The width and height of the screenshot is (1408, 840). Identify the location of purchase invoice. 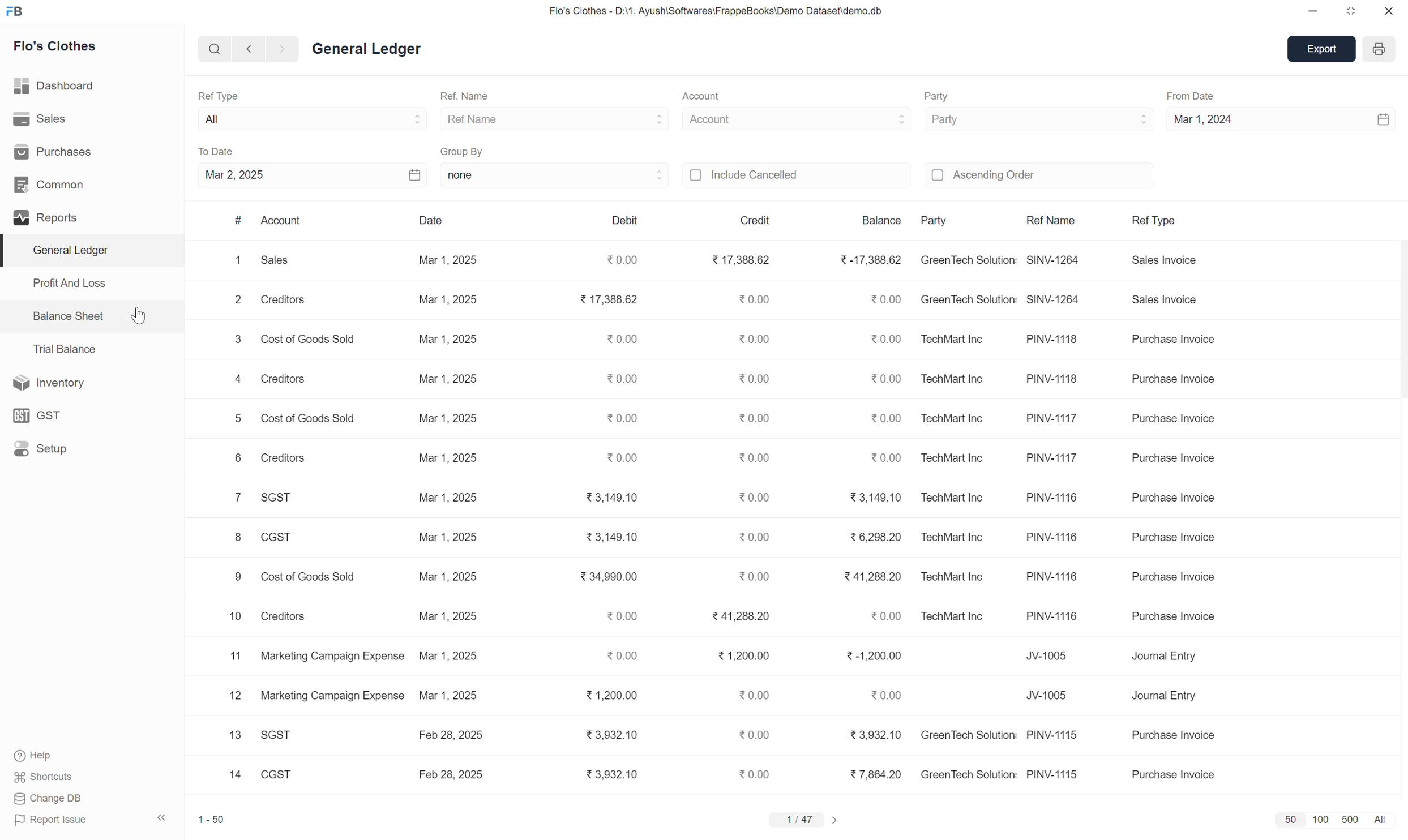
(1176, 578).